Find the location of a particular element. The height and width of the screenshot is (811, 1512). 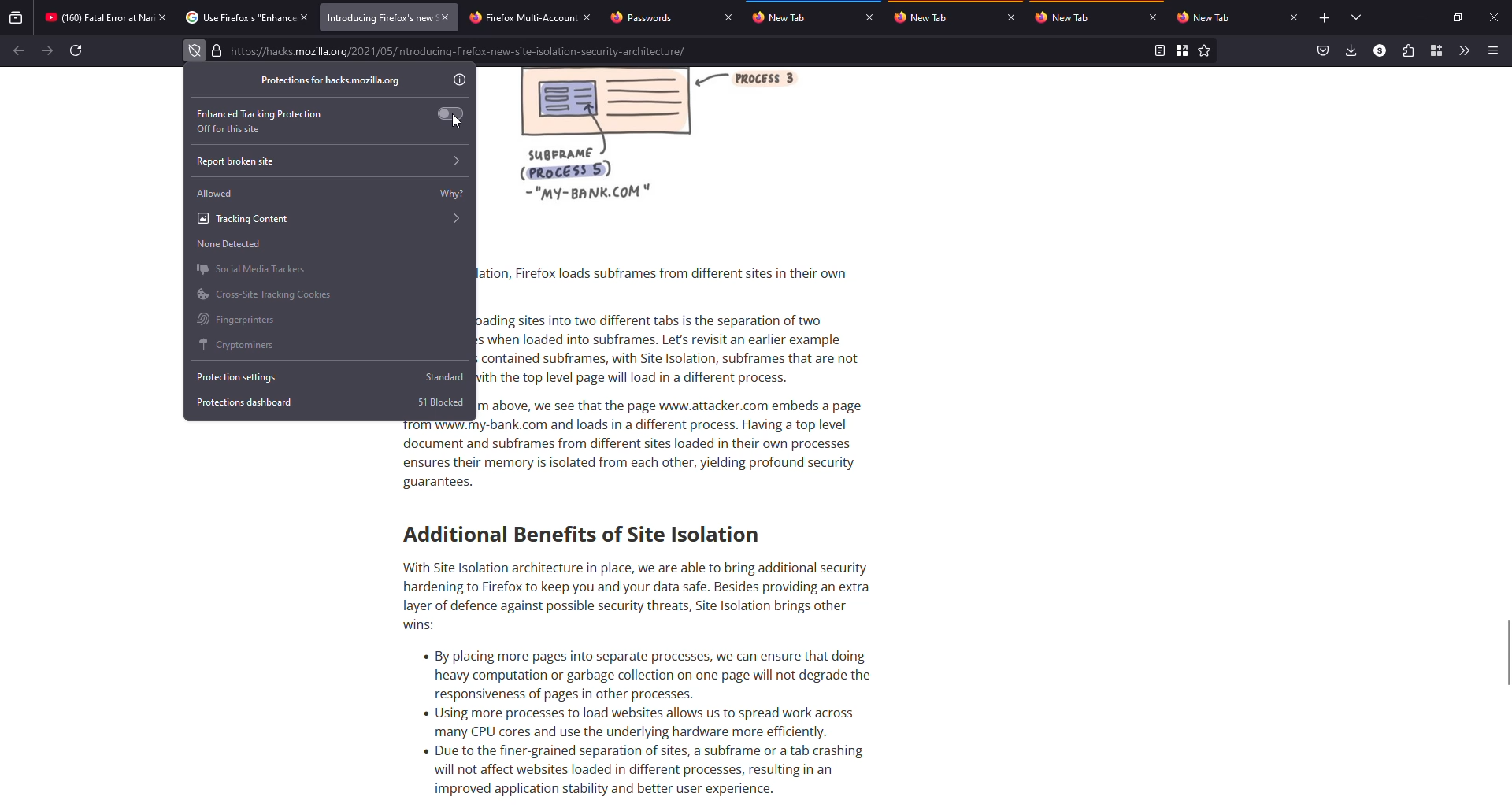

tracker is located at coordinates (195, 51).